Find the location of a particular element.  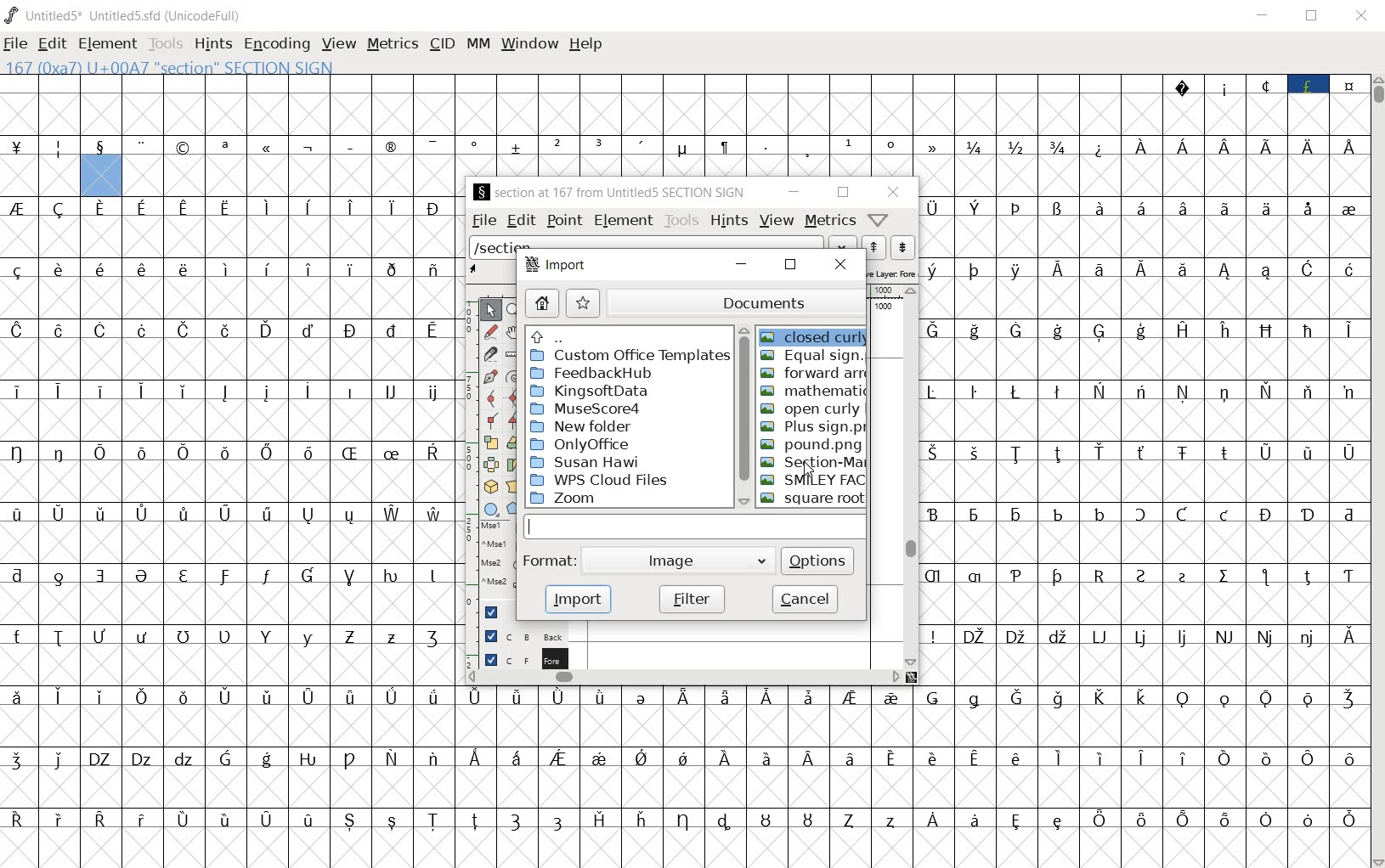

 is located at coordinates (1142, 452).